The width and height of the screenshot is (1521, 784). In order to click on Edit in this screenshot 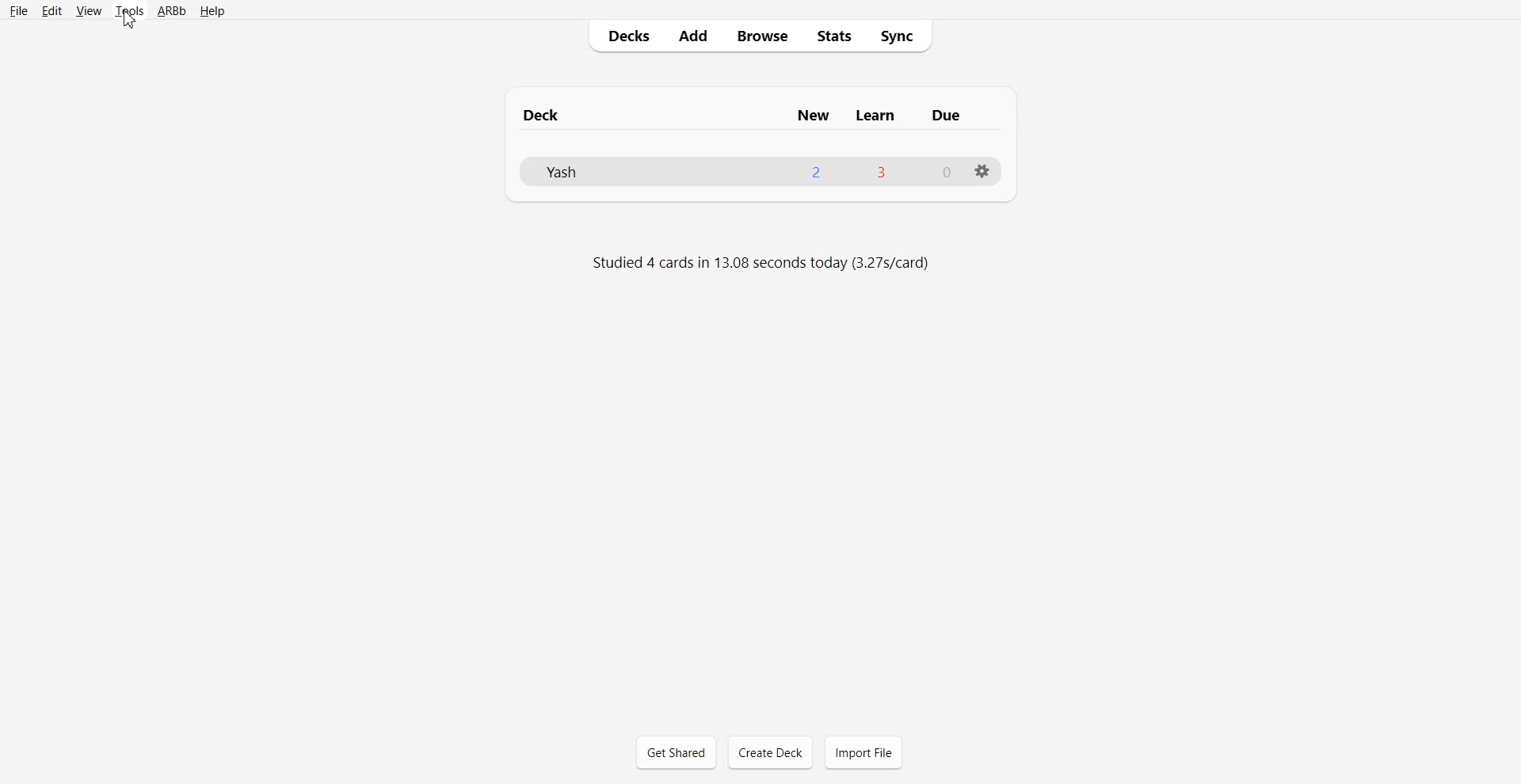, I will do `click(52, 10)`.